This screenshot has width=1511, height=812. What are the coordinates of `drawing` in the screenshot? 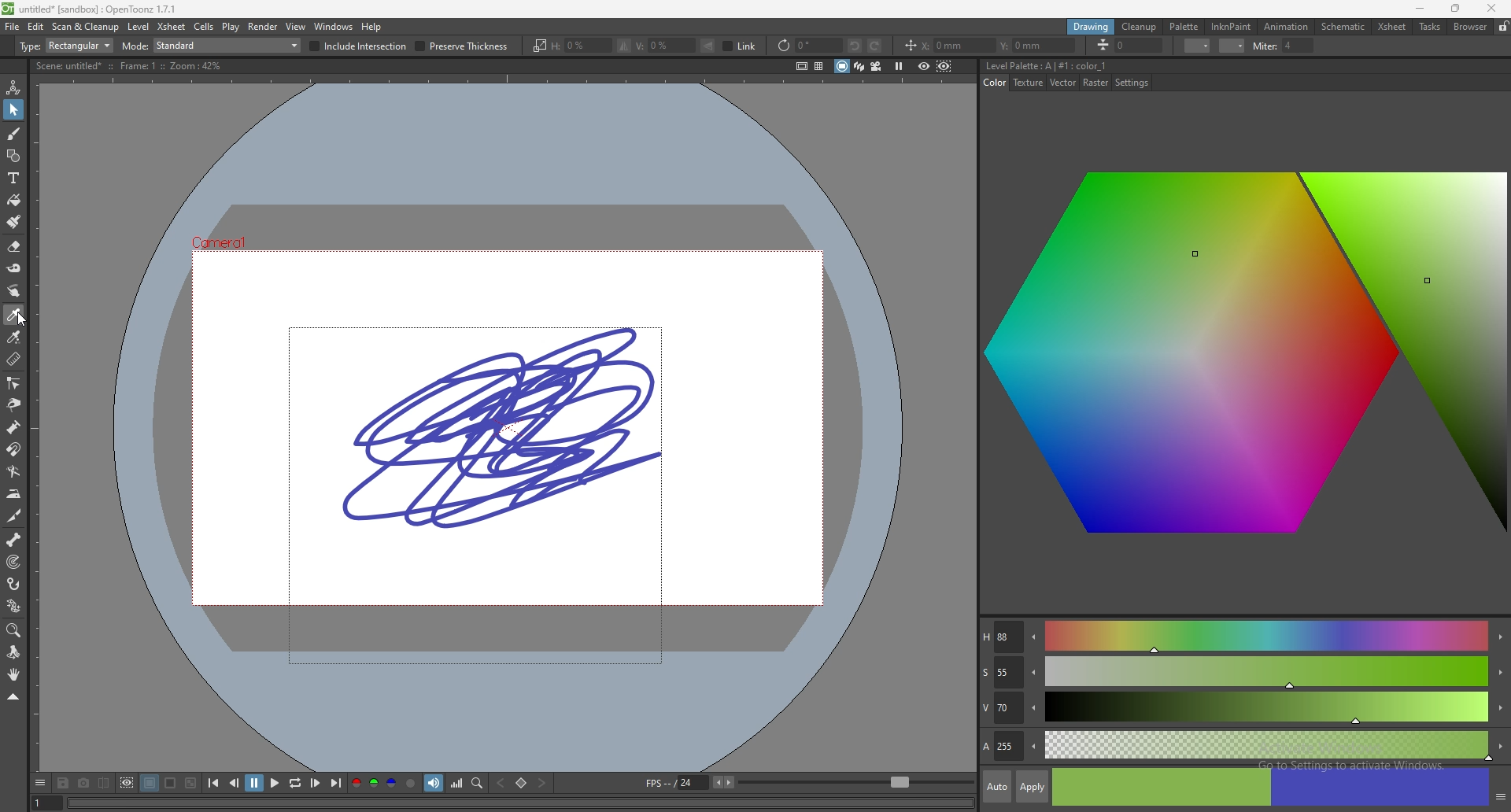 It's located at (508, 427).